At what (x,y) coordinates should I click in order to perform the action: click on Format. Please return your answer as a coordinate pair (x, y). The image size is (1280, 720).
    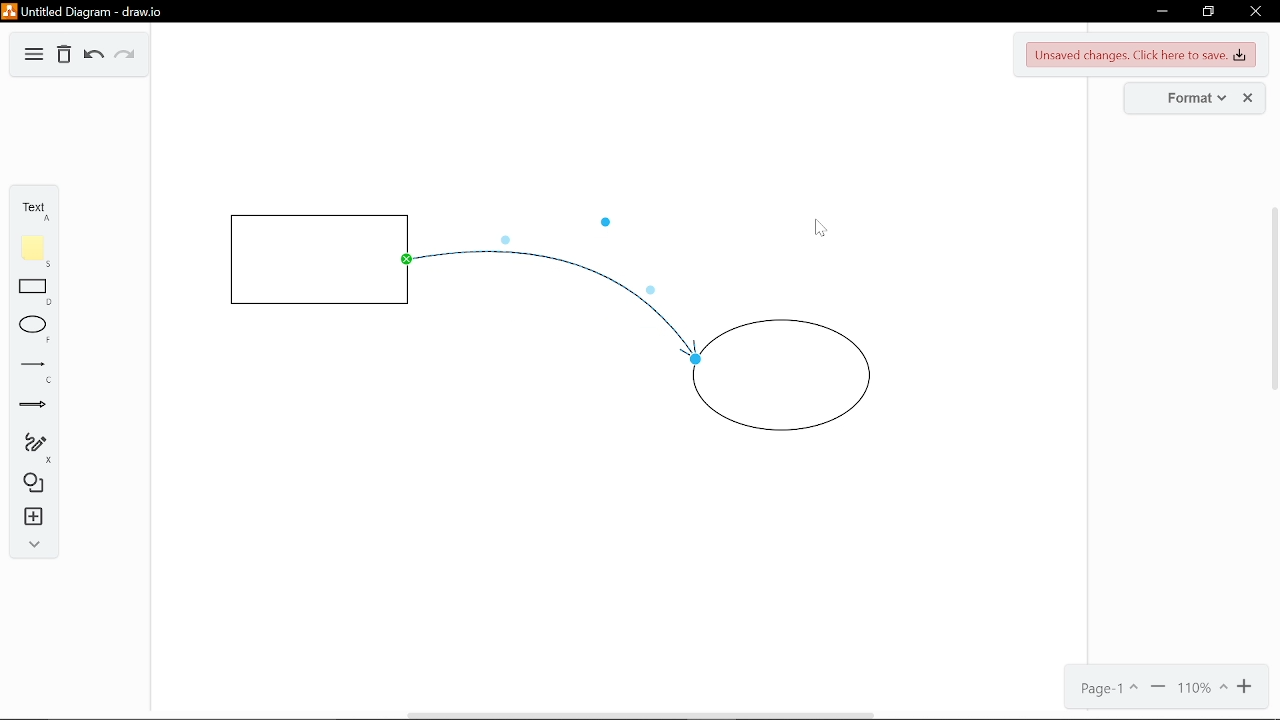
    Looking at the image, I should click on (1194, 97).